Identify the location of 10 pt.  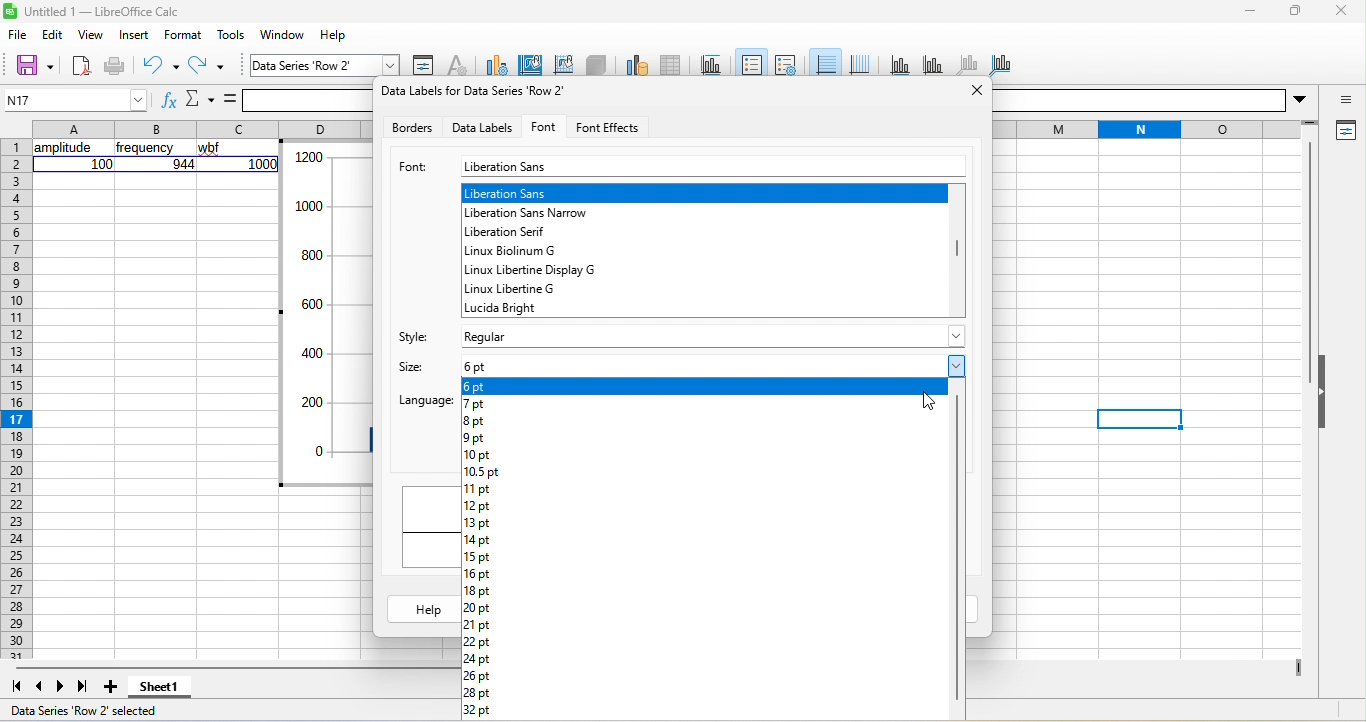
(480, 456).